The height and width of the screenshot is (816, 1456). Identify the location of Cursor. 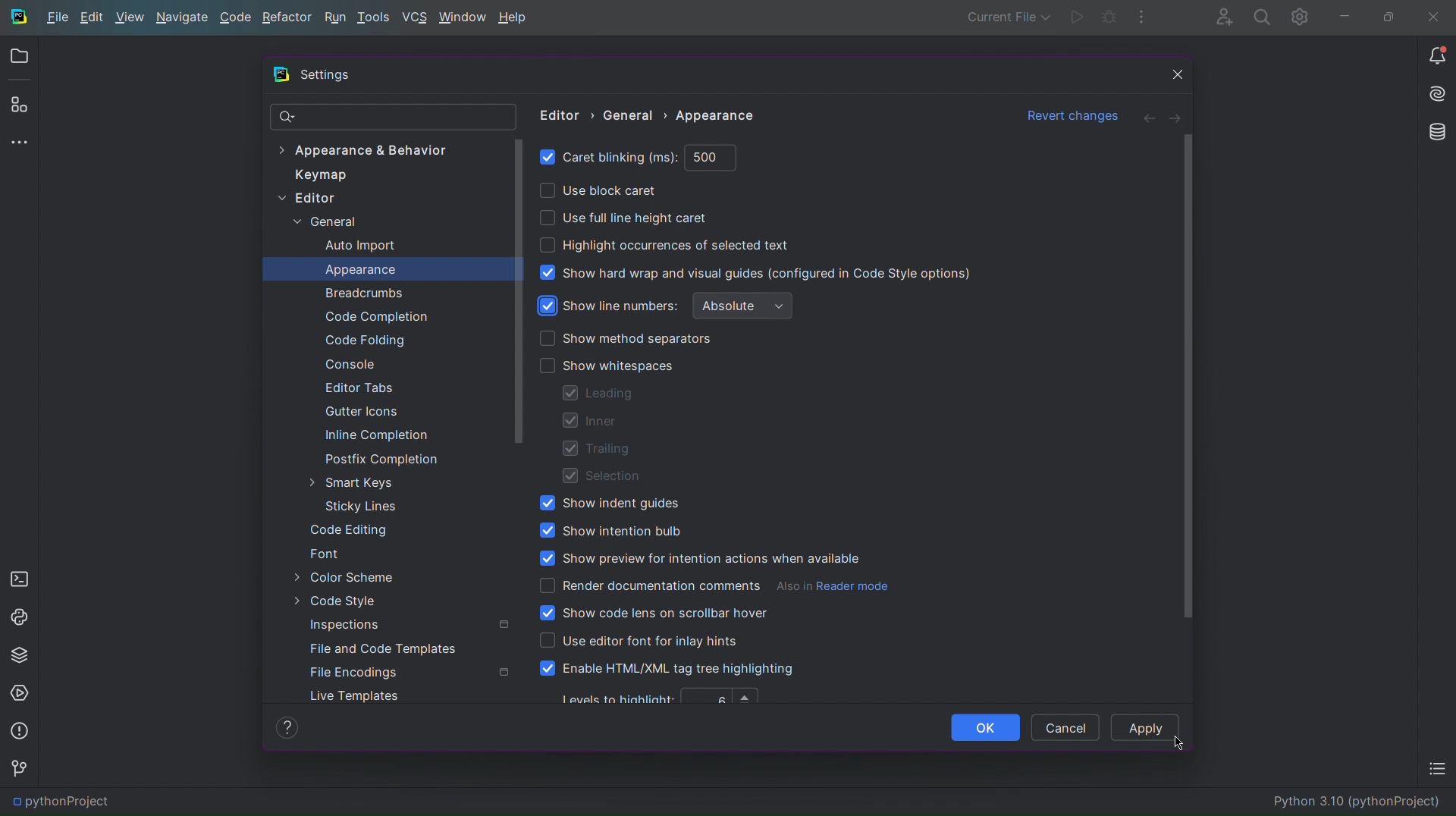
(1175, 743).